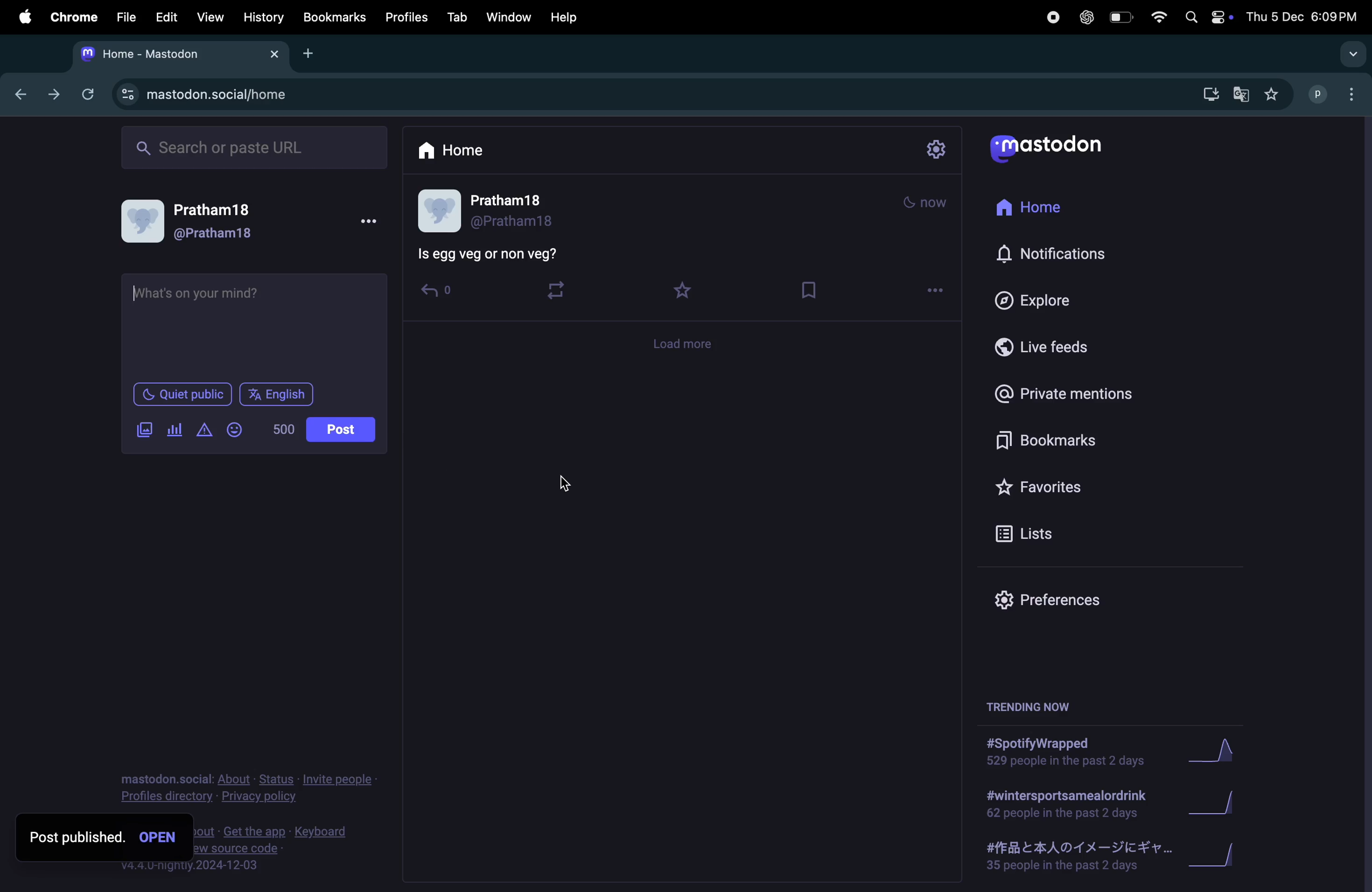 The image size is (1372, 892). I want to click on favourites, so click(682, 288).